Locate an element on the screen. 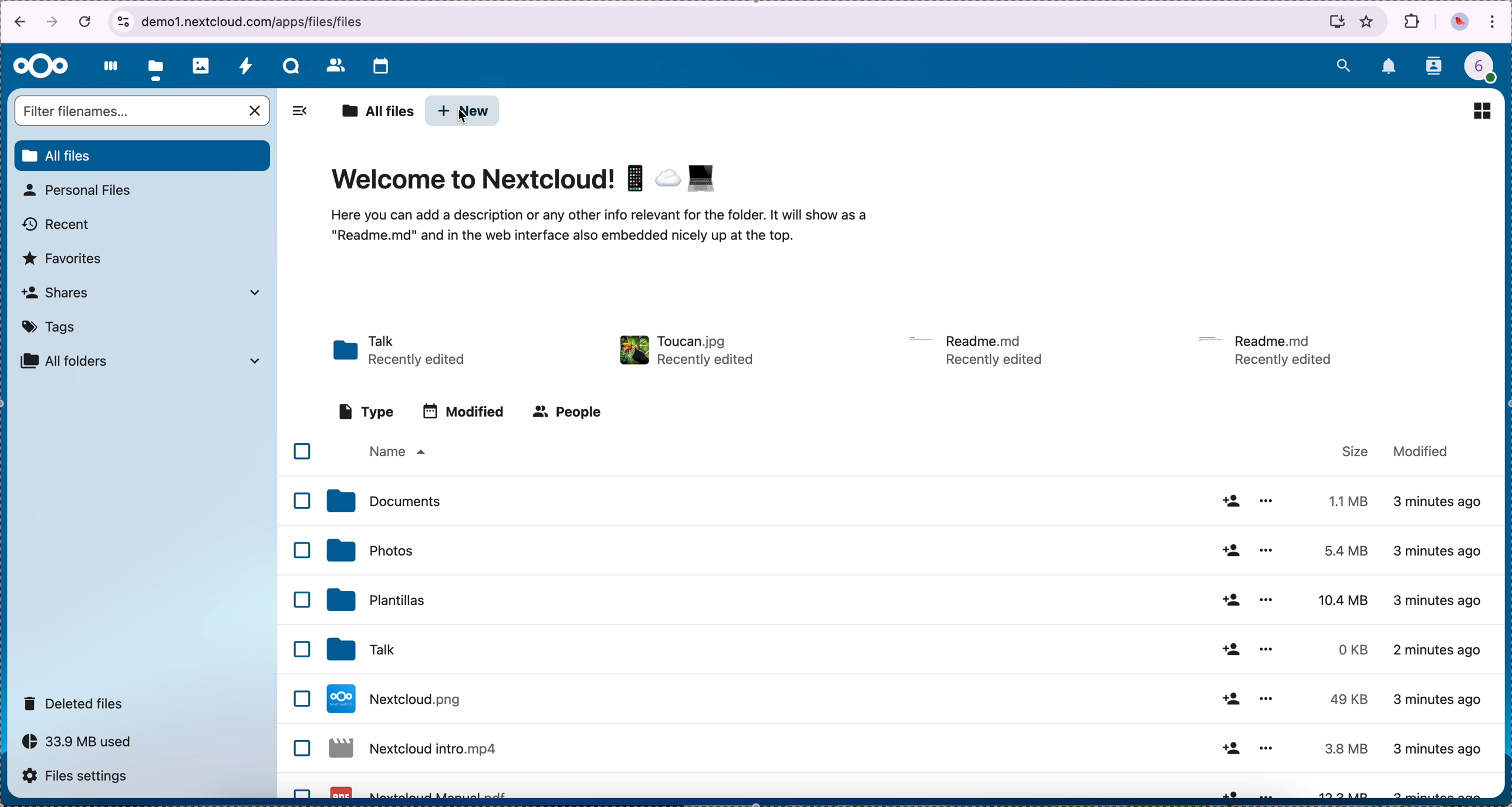 Image resolution: width=1512 pixels, height=807 pixels. readme file is located at coordinates (979, 349).